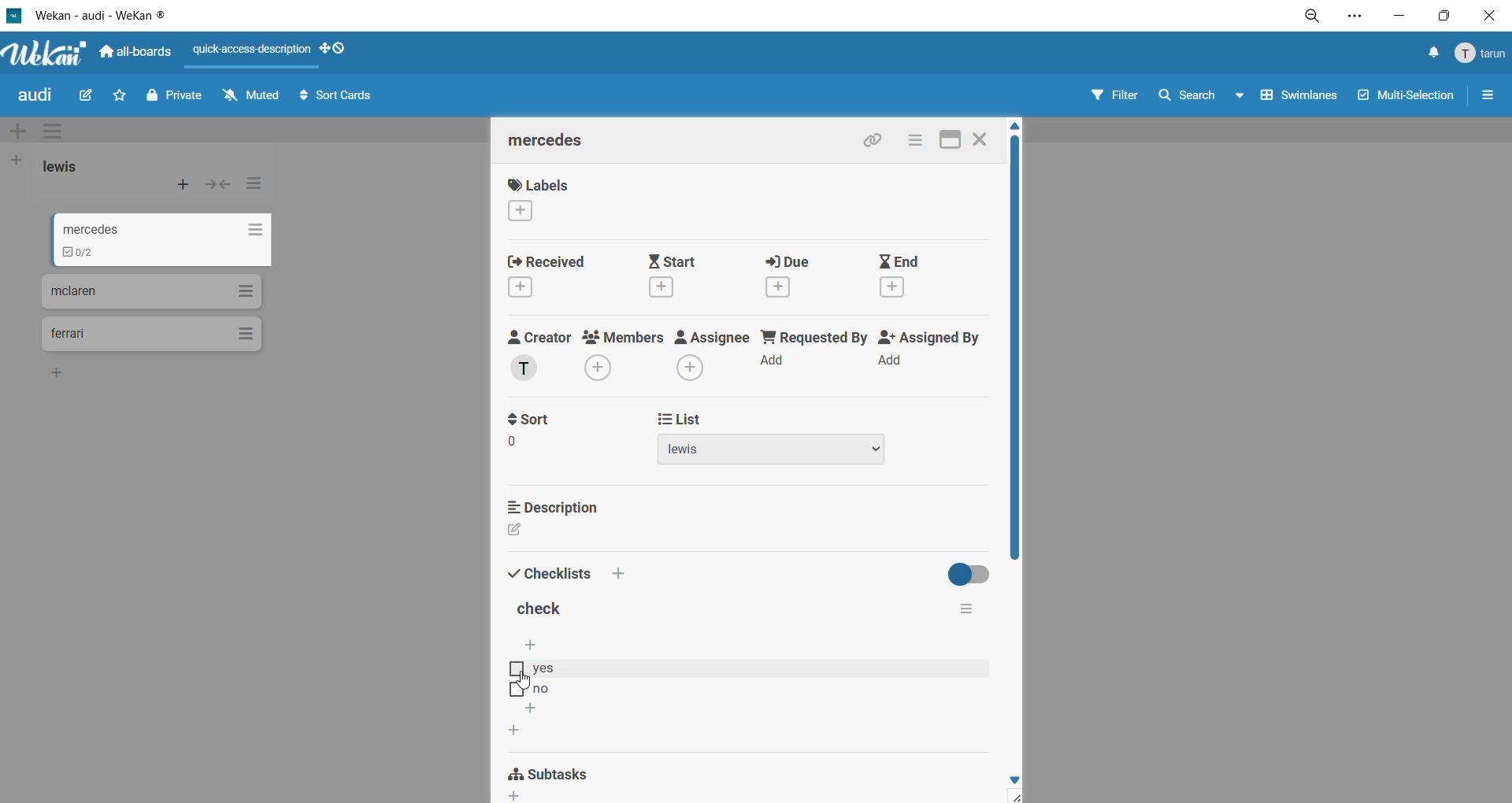  What do you see at coordinates (117, 94) in the screenshot?
I see `star` at bounding box center [117, 94].